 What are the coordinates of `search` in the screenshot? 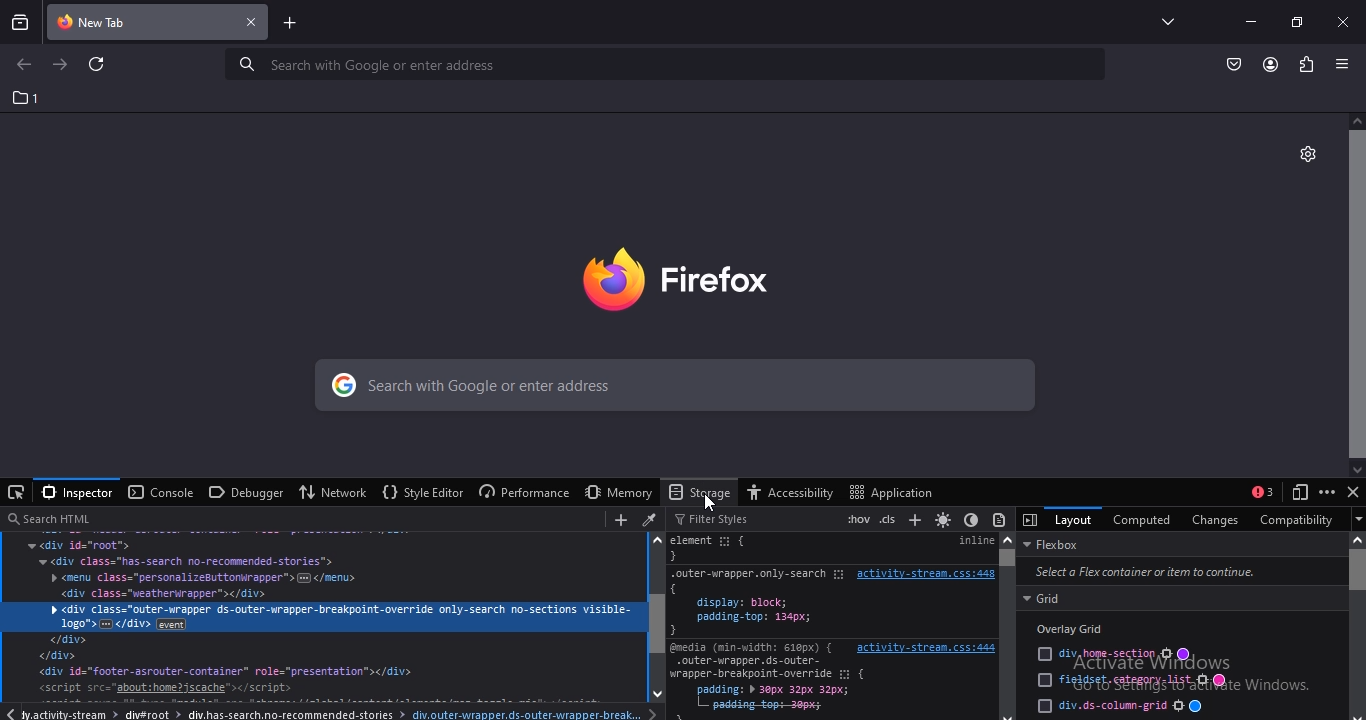 It's located at (668, 64).